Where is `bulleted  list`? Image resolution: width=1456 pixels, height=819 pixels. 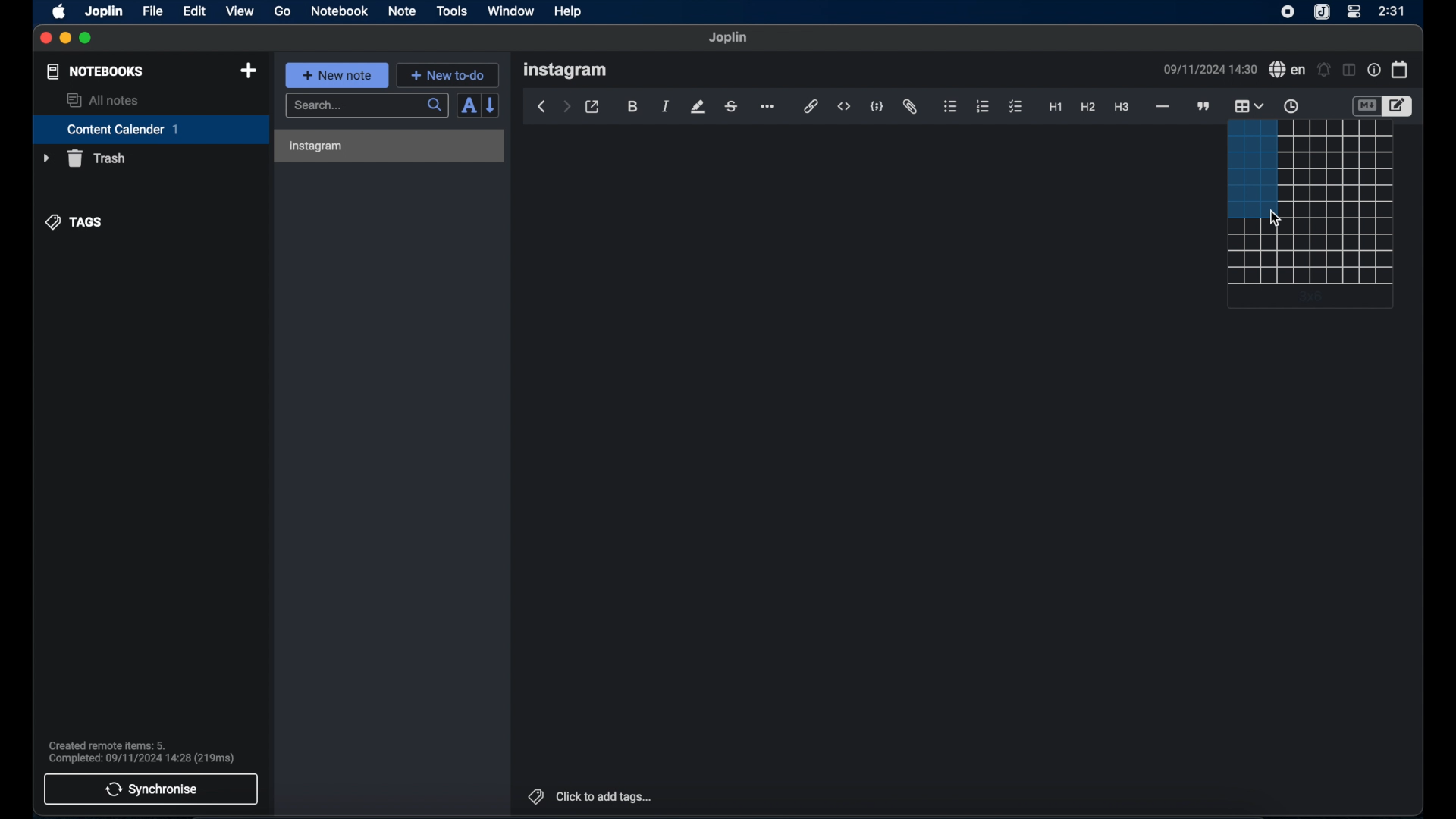 bulleted  list is located at coordinates (951, 105).